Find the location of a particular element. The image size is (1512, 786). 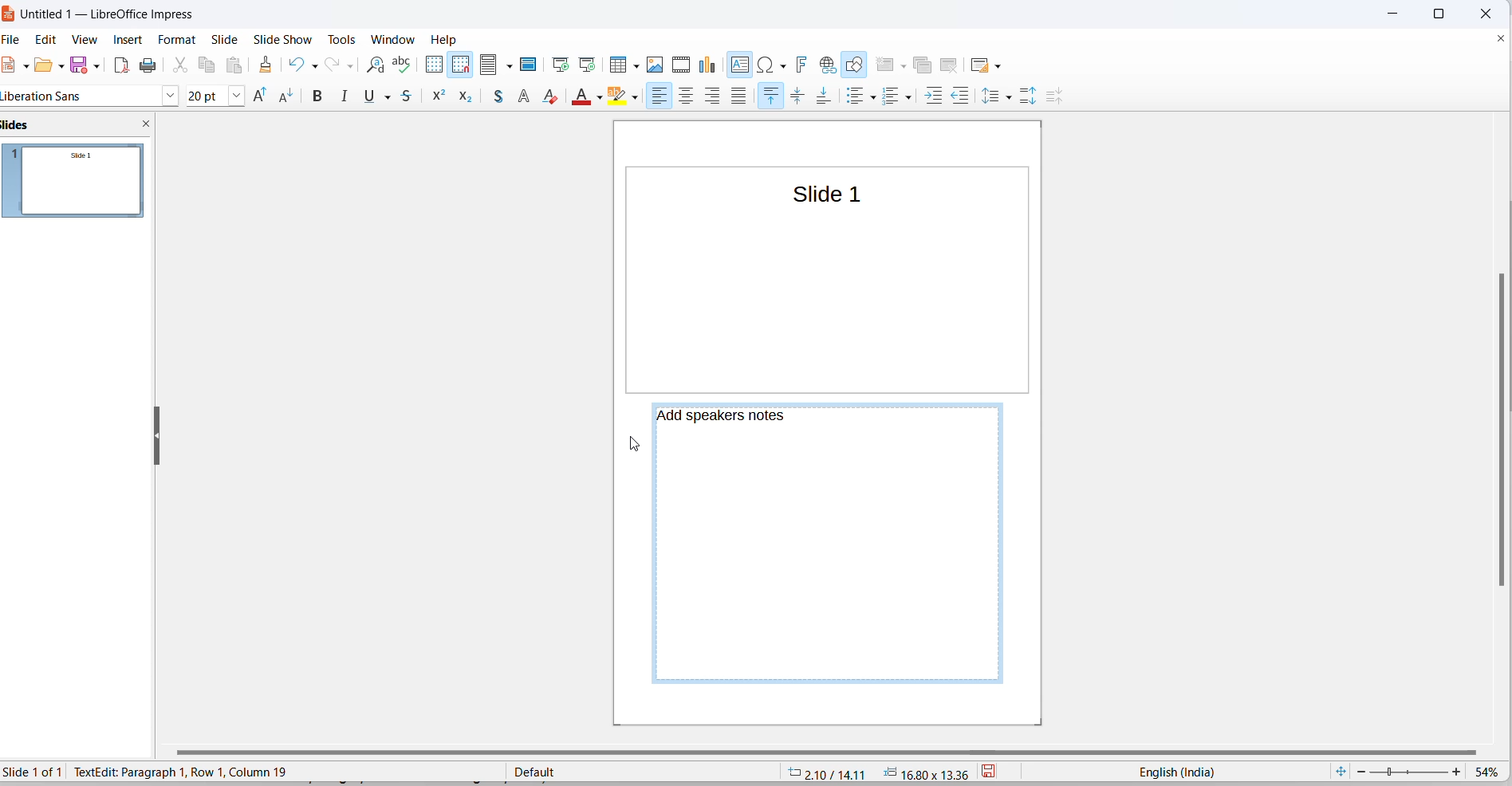

maximize is located at coordinates (1444, 14).